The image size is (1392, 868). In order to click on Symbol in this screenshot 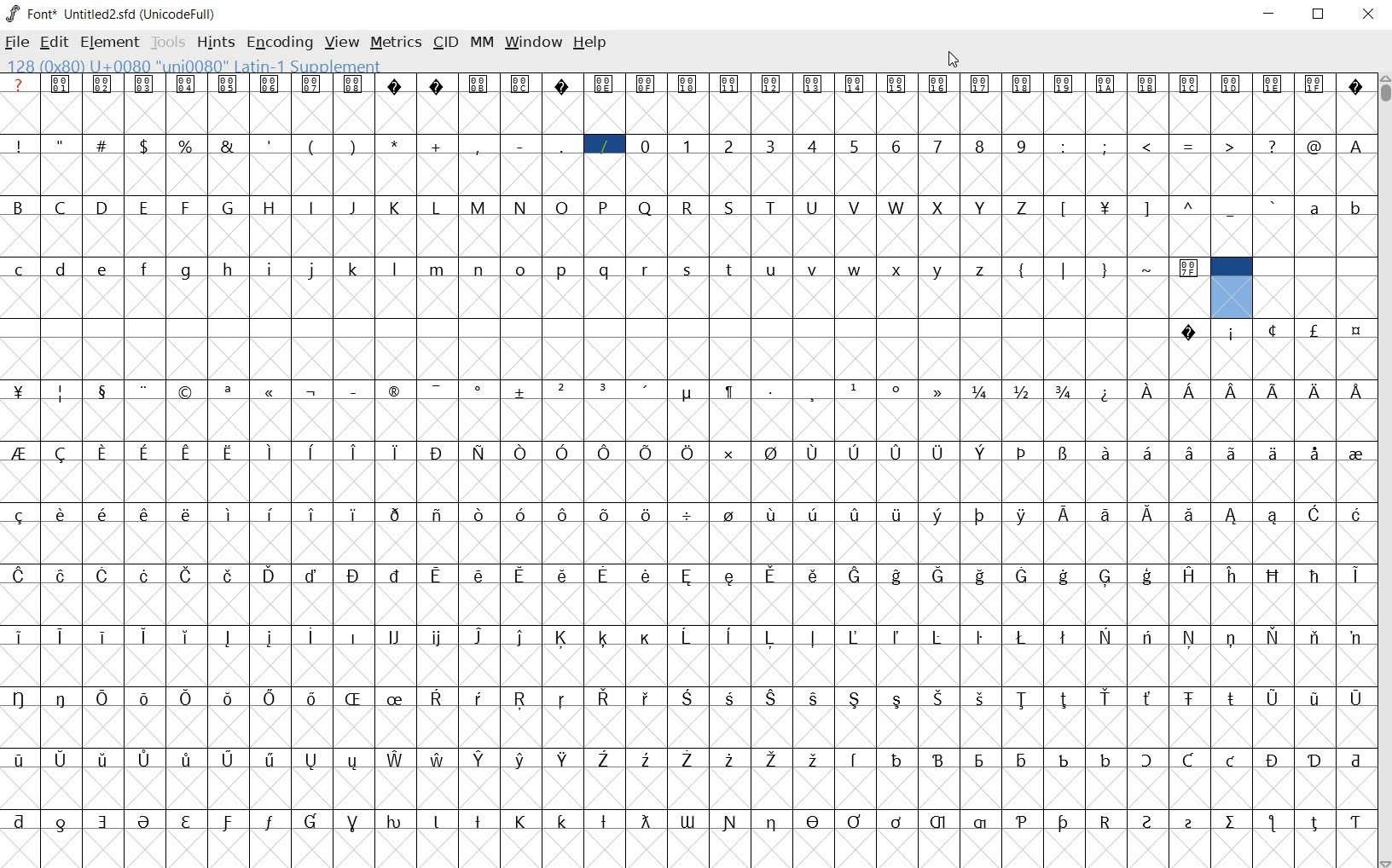, I will do `click(1189, 697)`.